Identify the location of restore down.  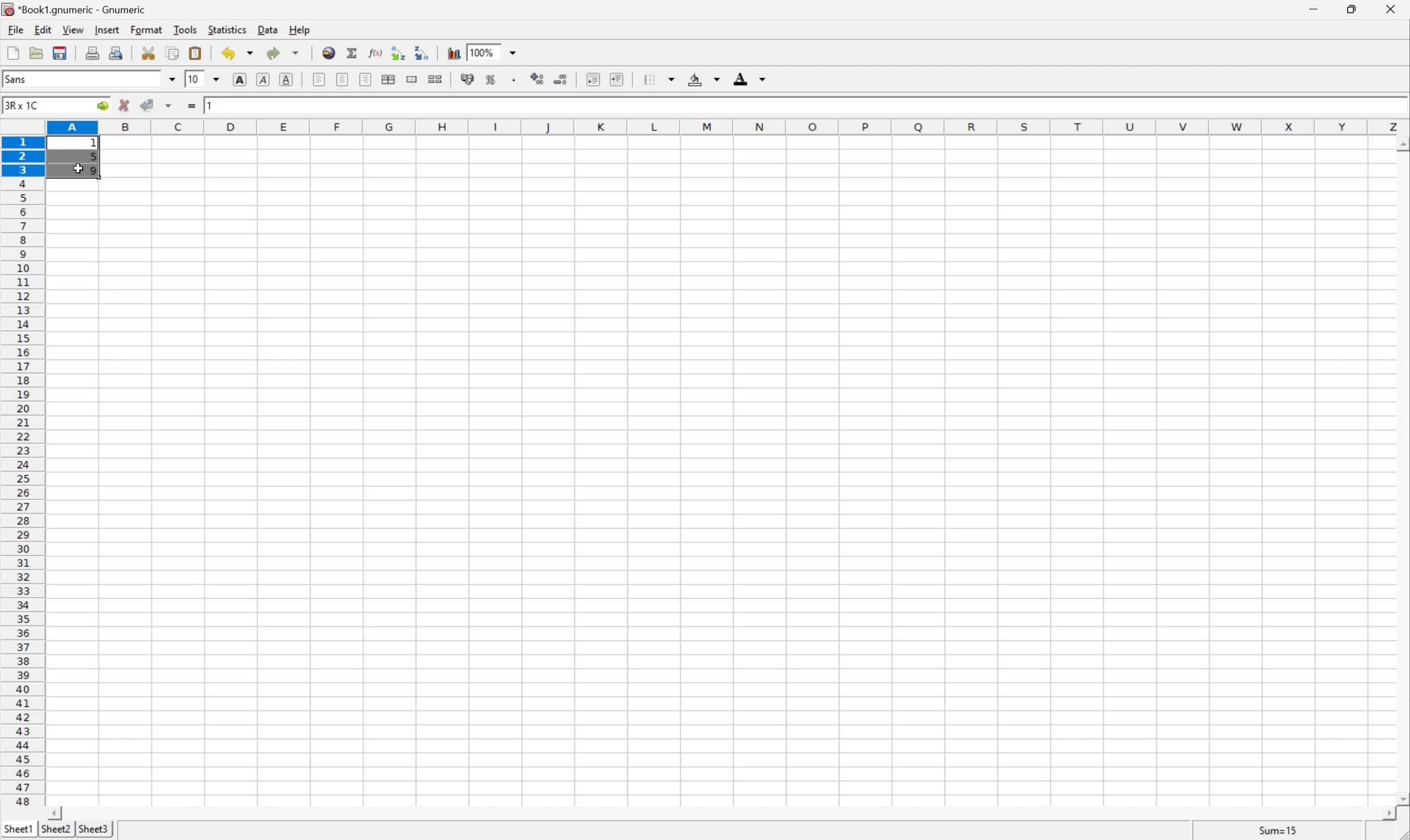
(1353, 9).